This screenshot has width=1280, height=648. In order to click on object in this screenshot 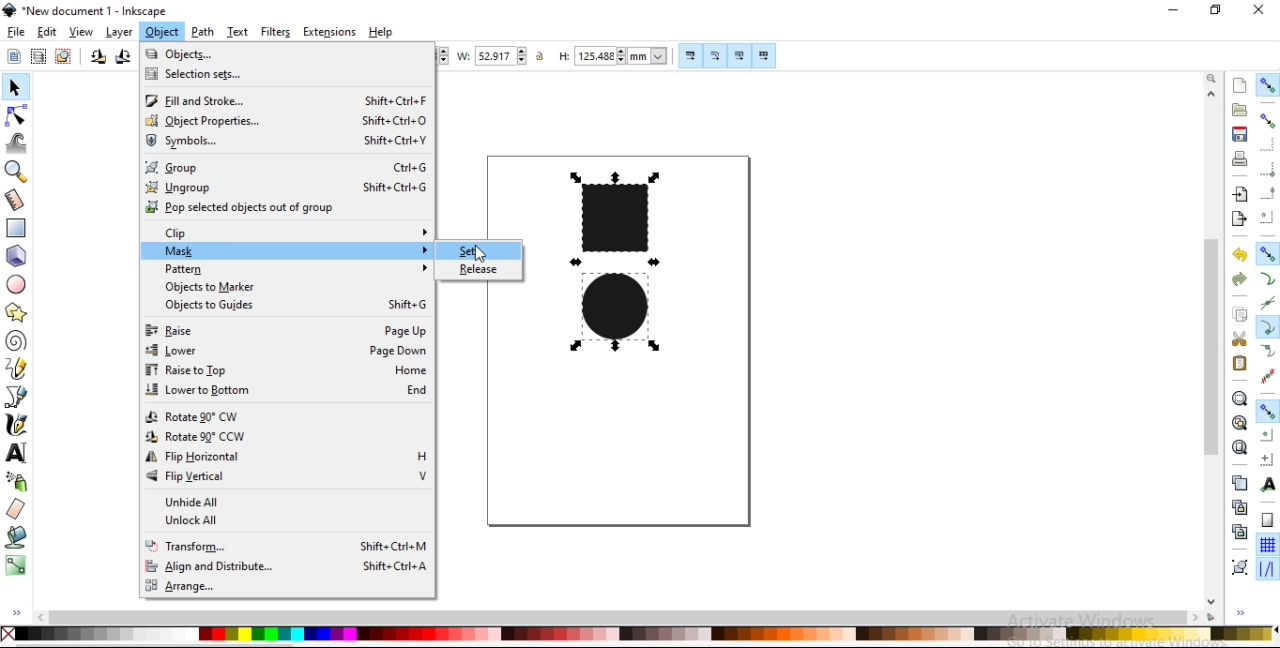, I will do `click(162, 32)`.